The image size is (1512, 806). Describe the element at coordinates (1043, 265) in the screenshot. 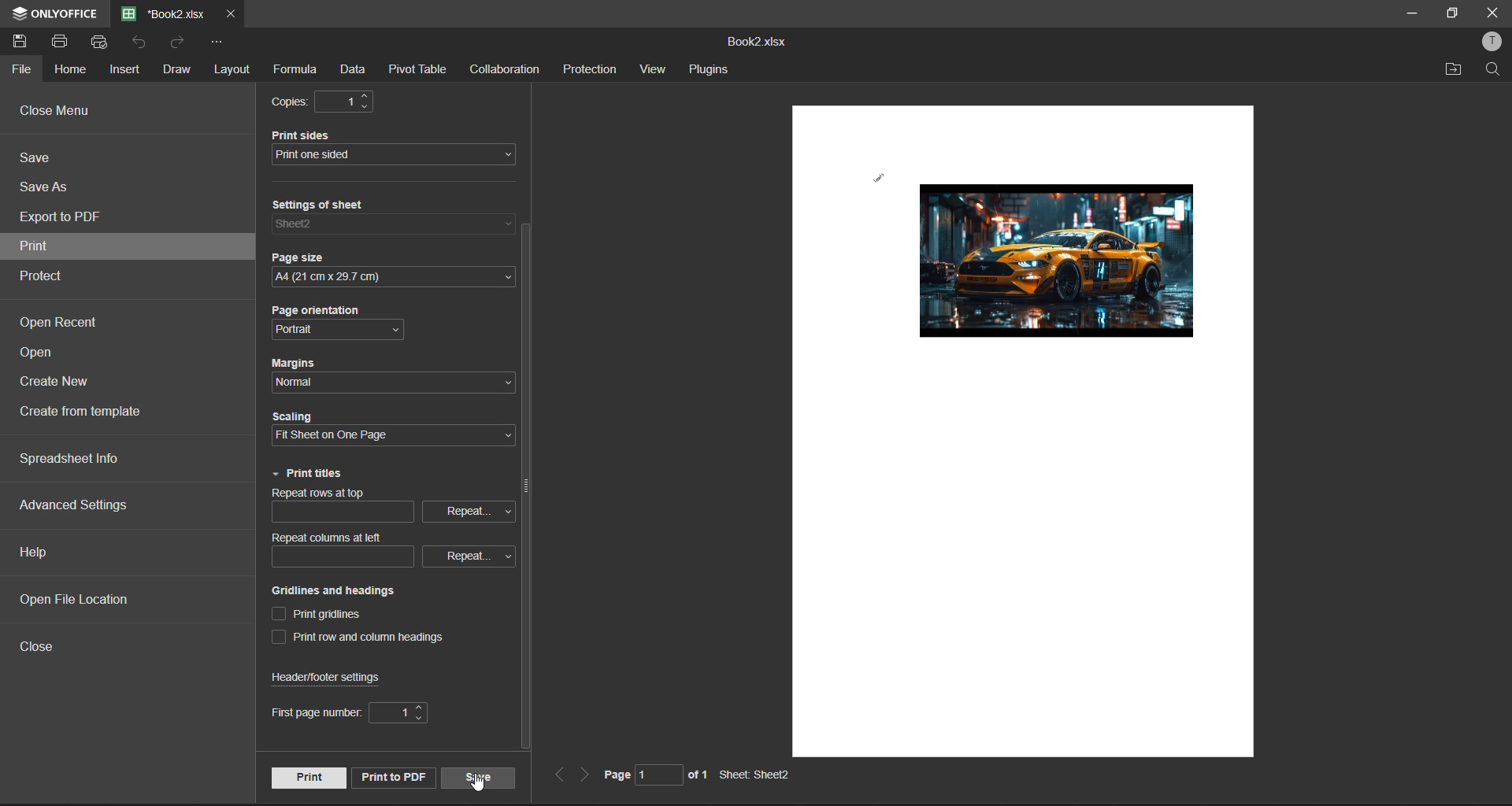

I see `data fit to one page` at that location.